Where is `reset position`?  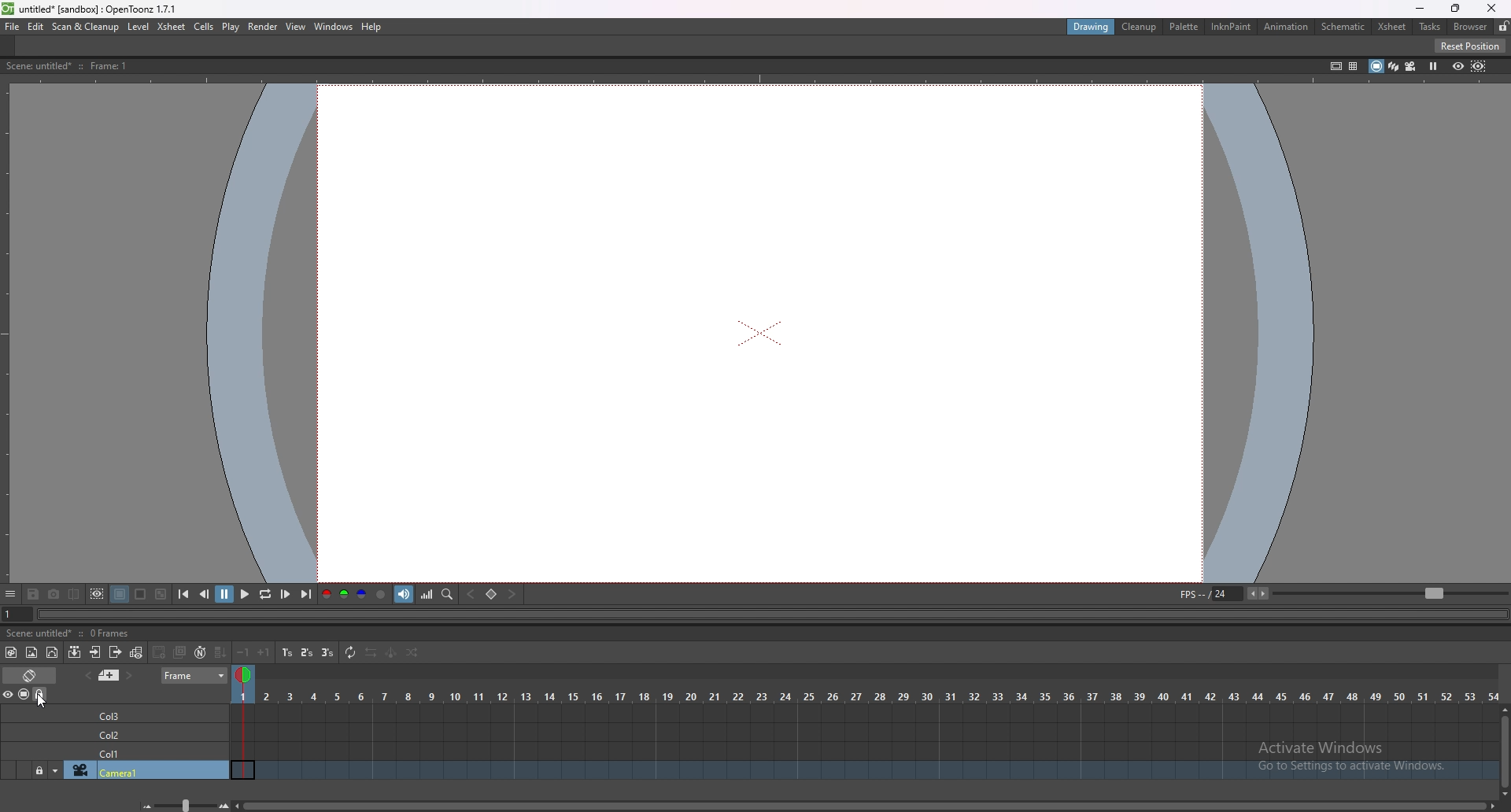
reset position is located at coordinates (1470, 46).